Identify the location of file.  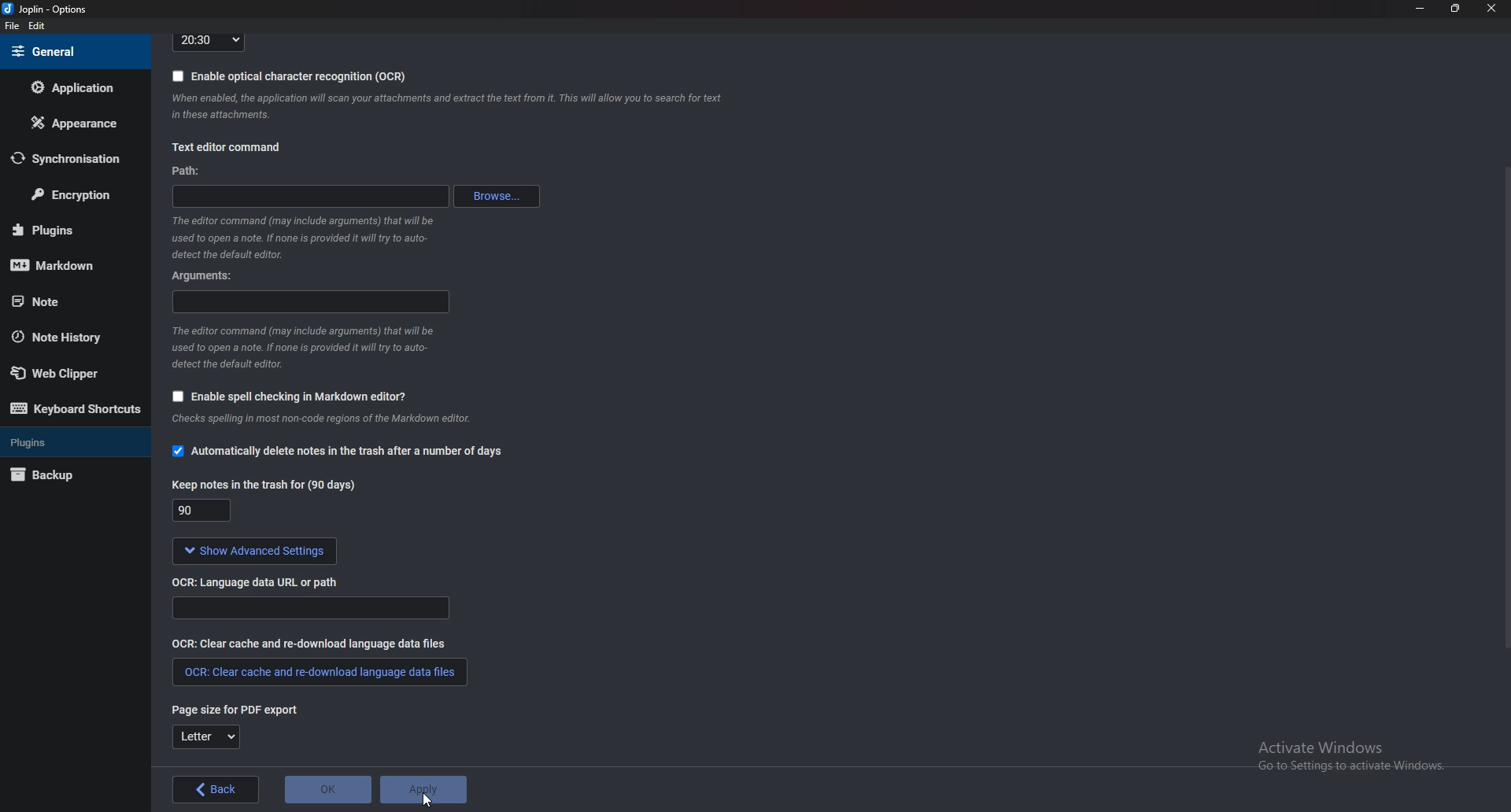
(14, 26).